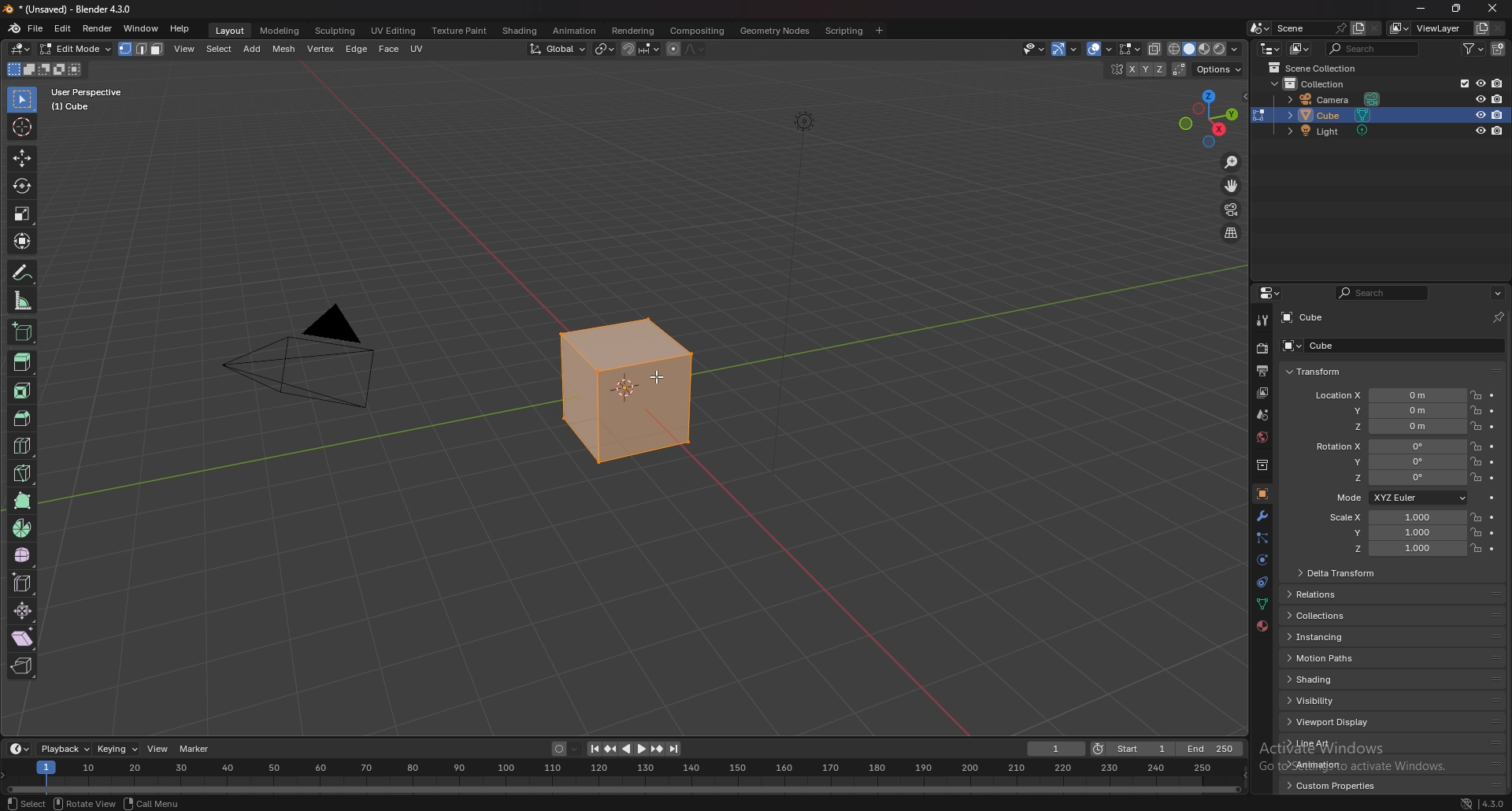 This screenshot has height=811, width=1512. Describe the element at coordinates (1333, 370) in the screenshot. I see `transform` at that location.